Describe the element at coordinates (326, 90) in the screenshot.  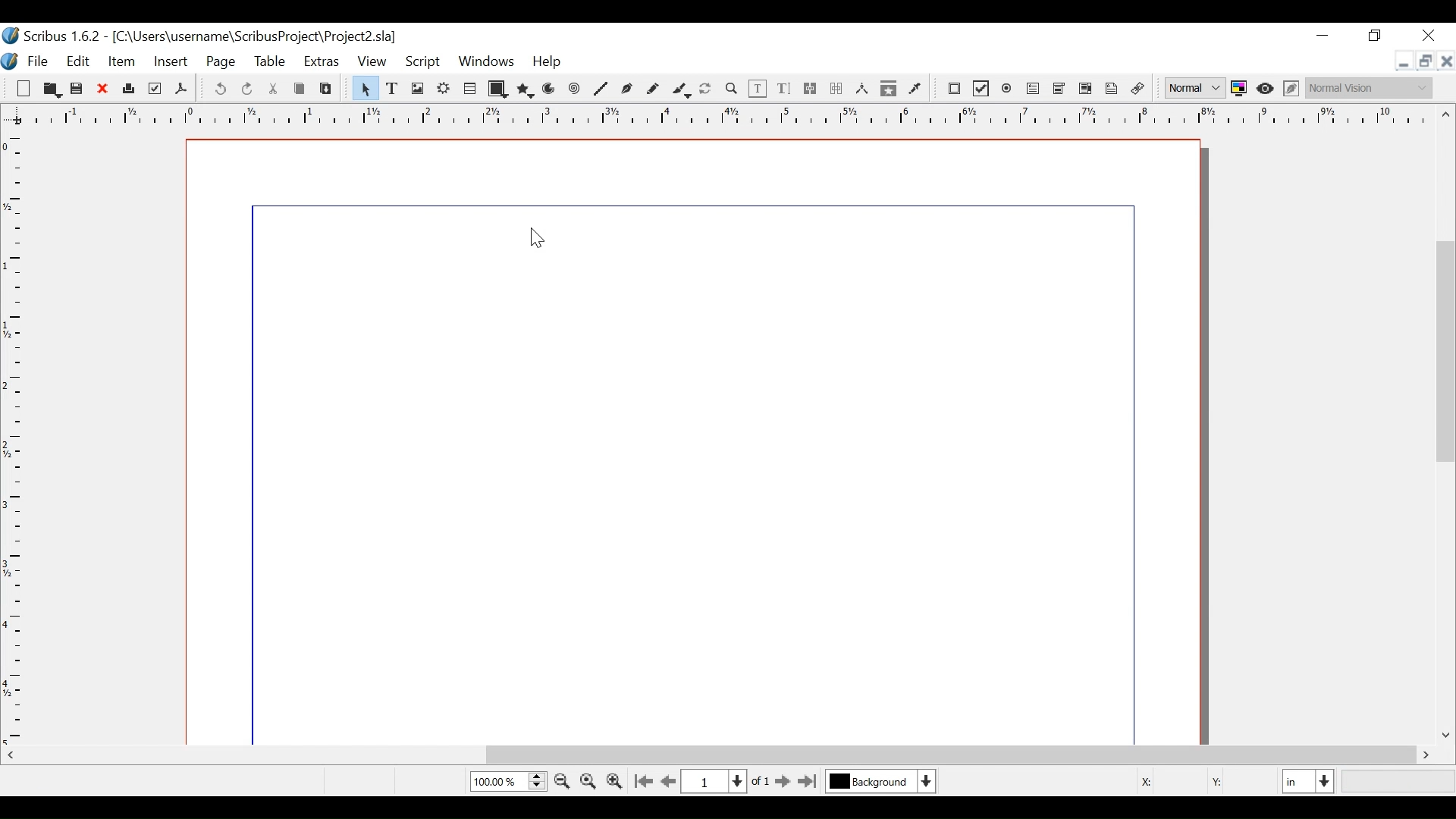
I see `Paste` at that location.